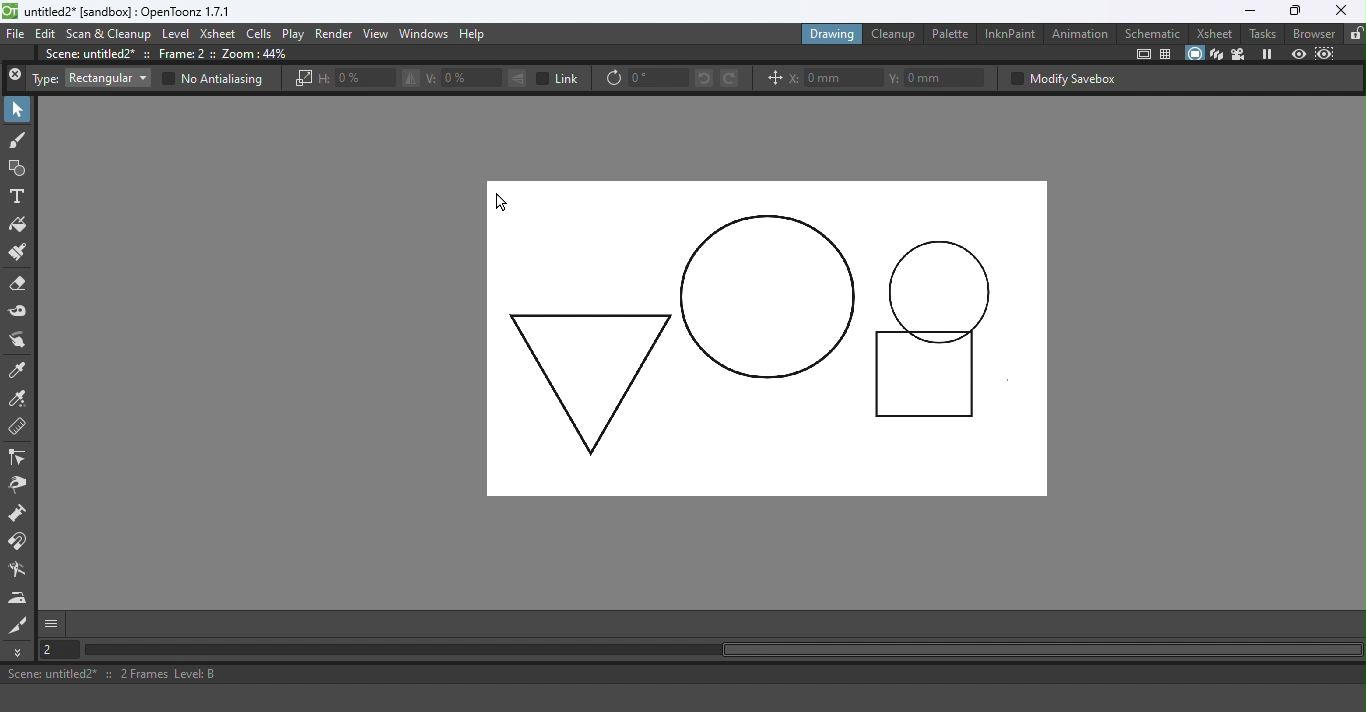 Image resolution: width=1366 pixels, height=712 pixels. Describe the element at coordinates (481, 33) in the screenshot. I see `Help` at that location.